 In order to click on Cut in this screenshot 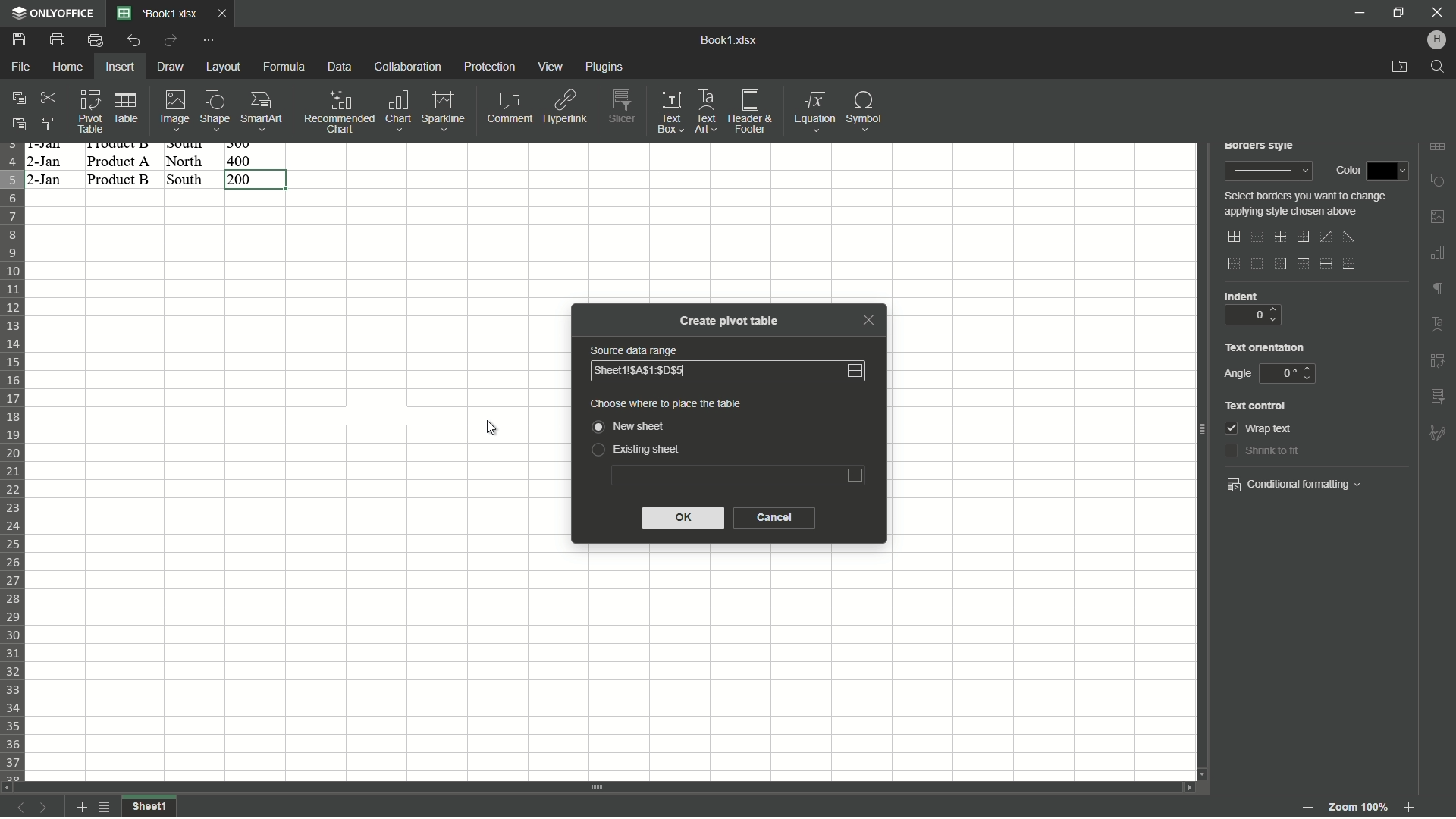, I will do `click(49, 98)`.